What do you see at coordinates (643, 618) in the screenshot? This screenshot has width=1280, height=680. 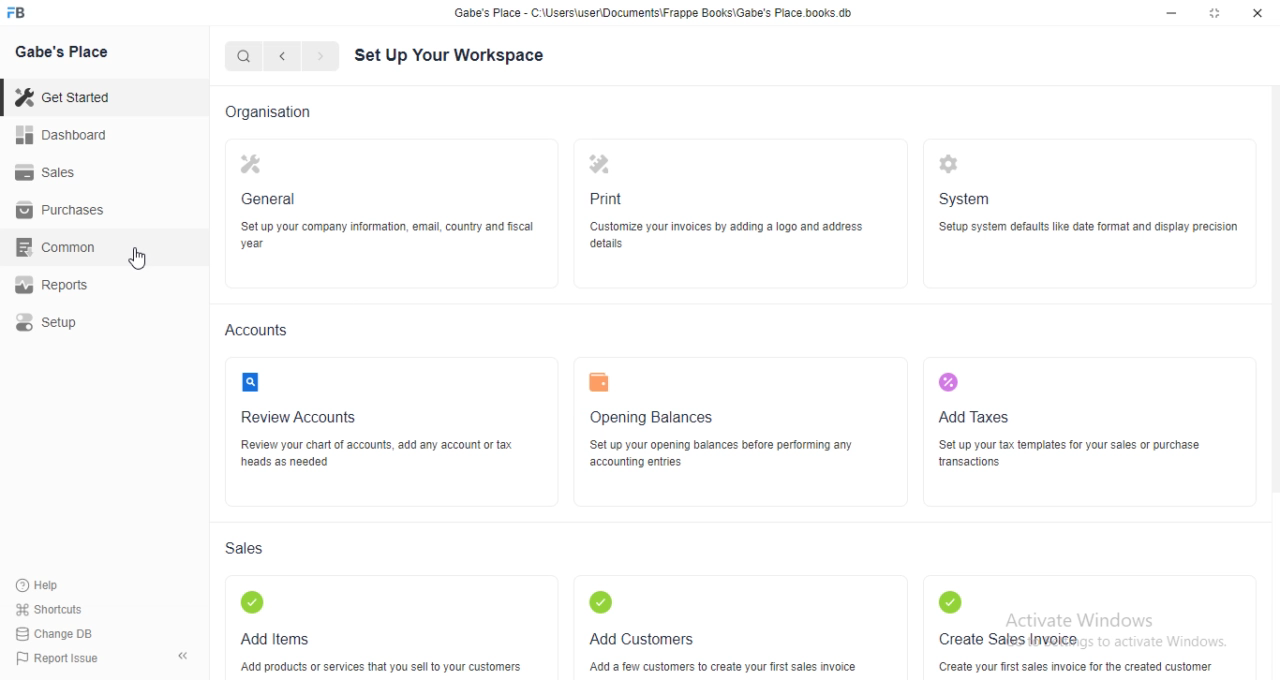 I see `Add Customers` at bounding box center [643, 618].